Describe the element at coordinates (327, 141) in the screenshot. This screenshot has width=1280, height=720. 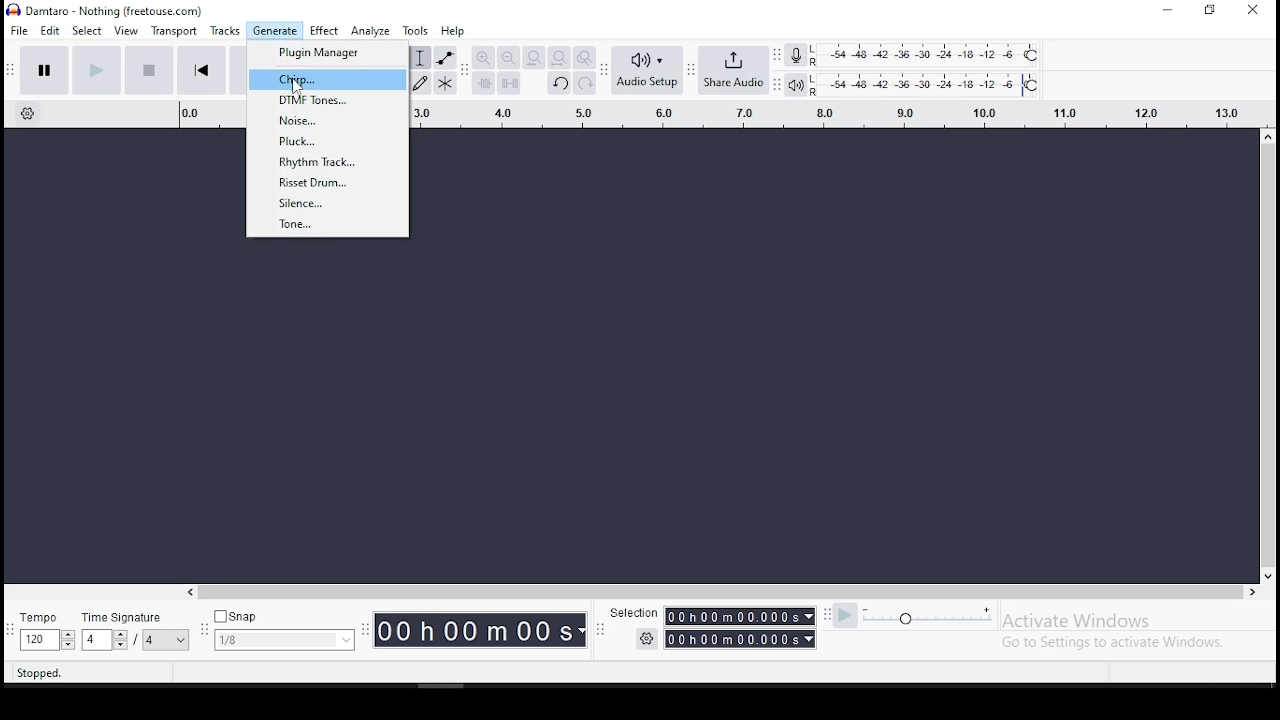
I see `pluck` at that location.